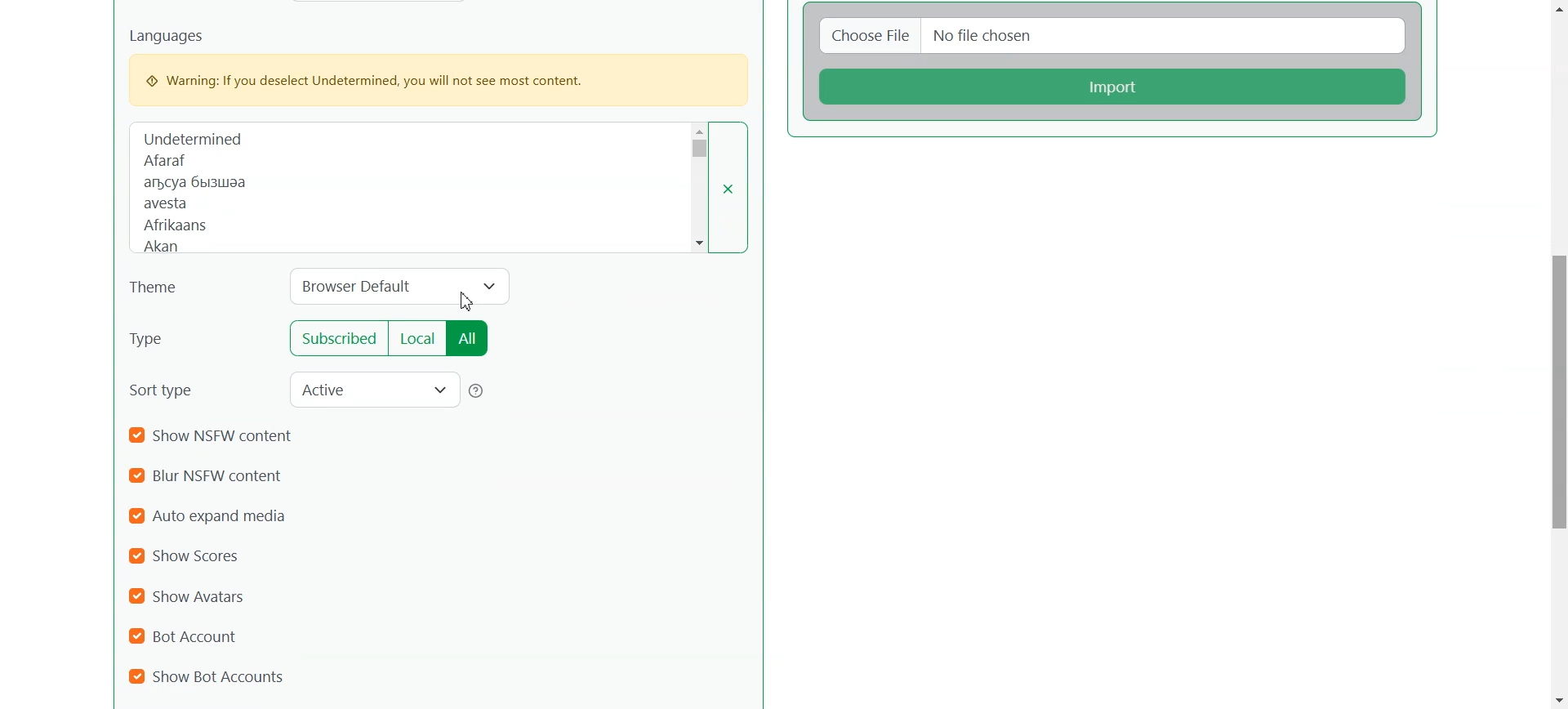 This screenshot has height=709, width=1568. What do you see at coordinates (737, 186) in the screenshot?
I see `Close` at bounding box center [737, 186].